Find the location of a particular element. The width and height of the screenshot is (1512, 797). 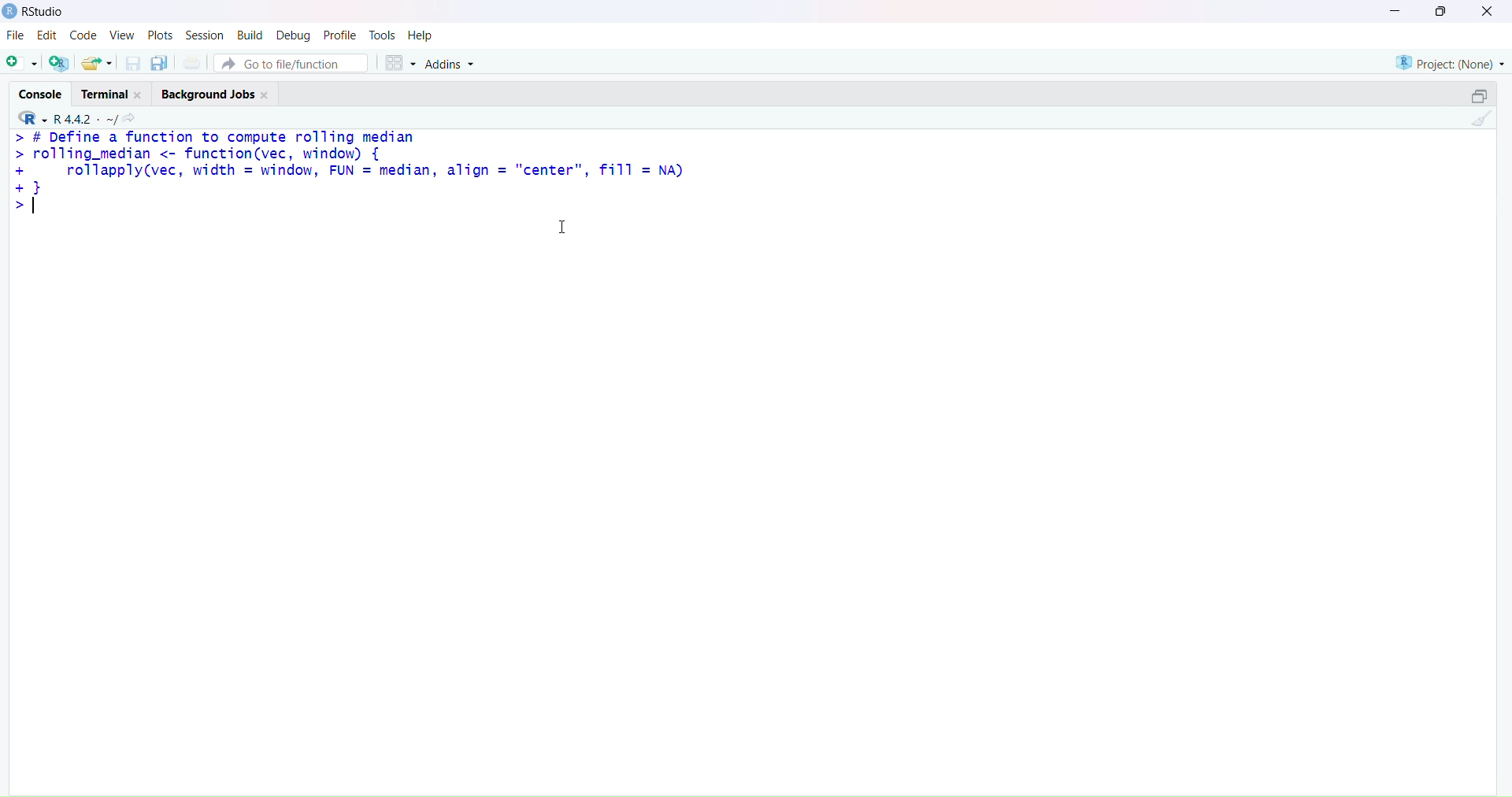

tools is located at coordinates (383, 35).